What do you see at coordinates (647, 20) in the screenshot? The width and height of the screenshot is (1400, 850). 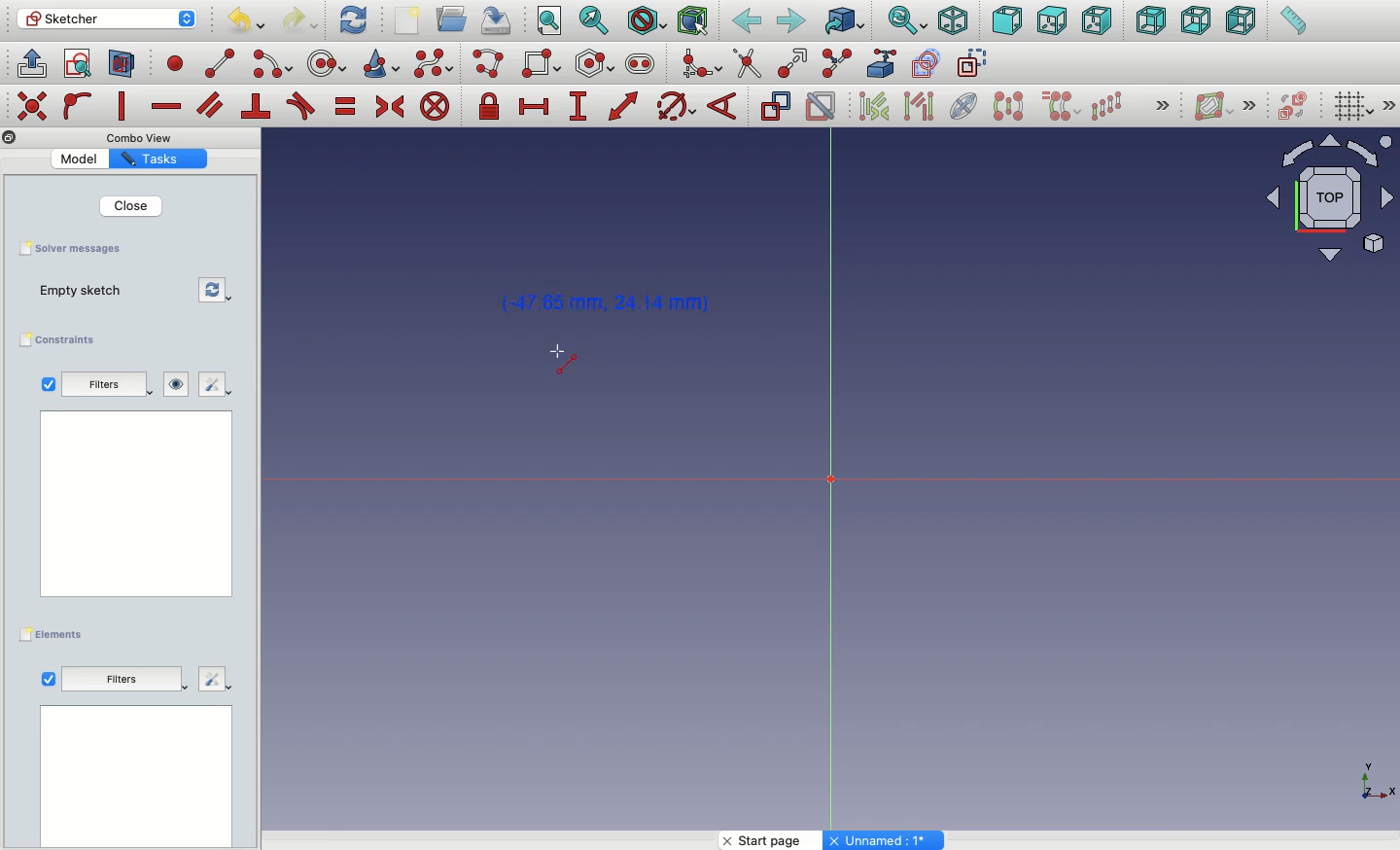 I see `Draw style` at bounding box center [647, 20].